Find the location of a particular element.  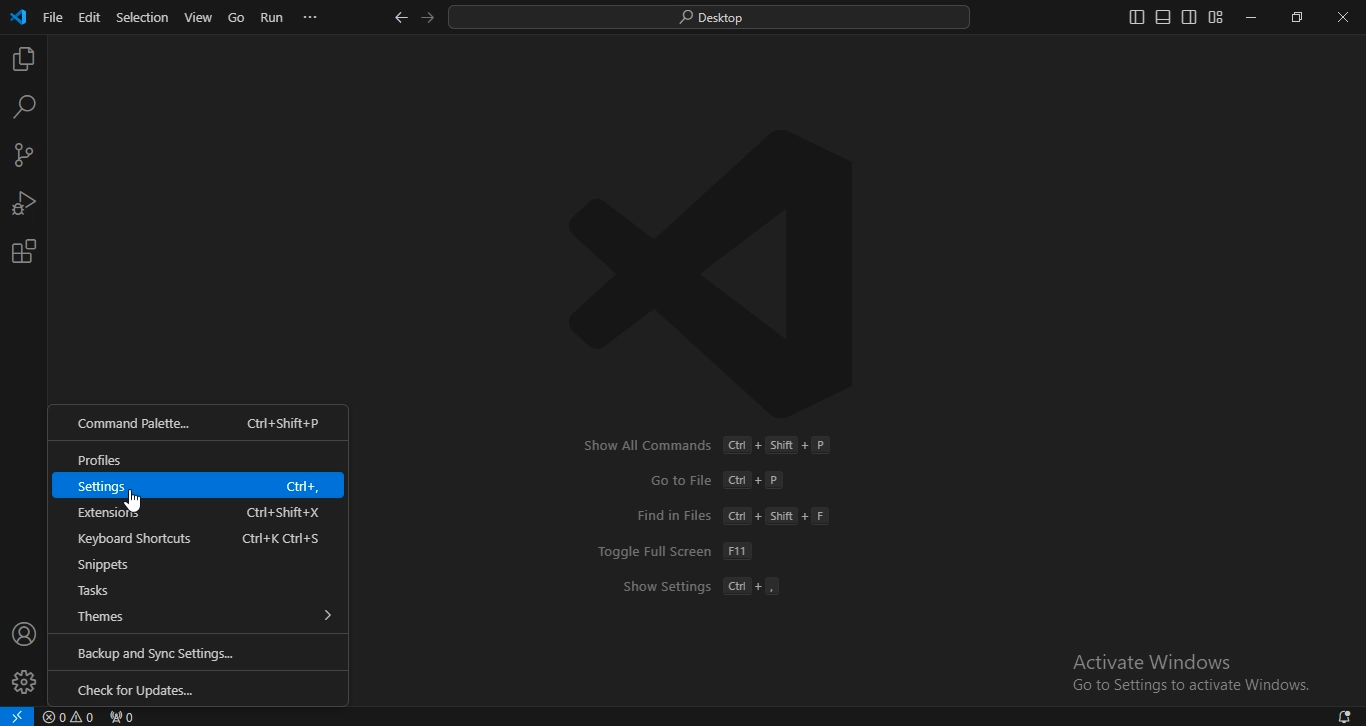

text is located at coordinates (702, 588).